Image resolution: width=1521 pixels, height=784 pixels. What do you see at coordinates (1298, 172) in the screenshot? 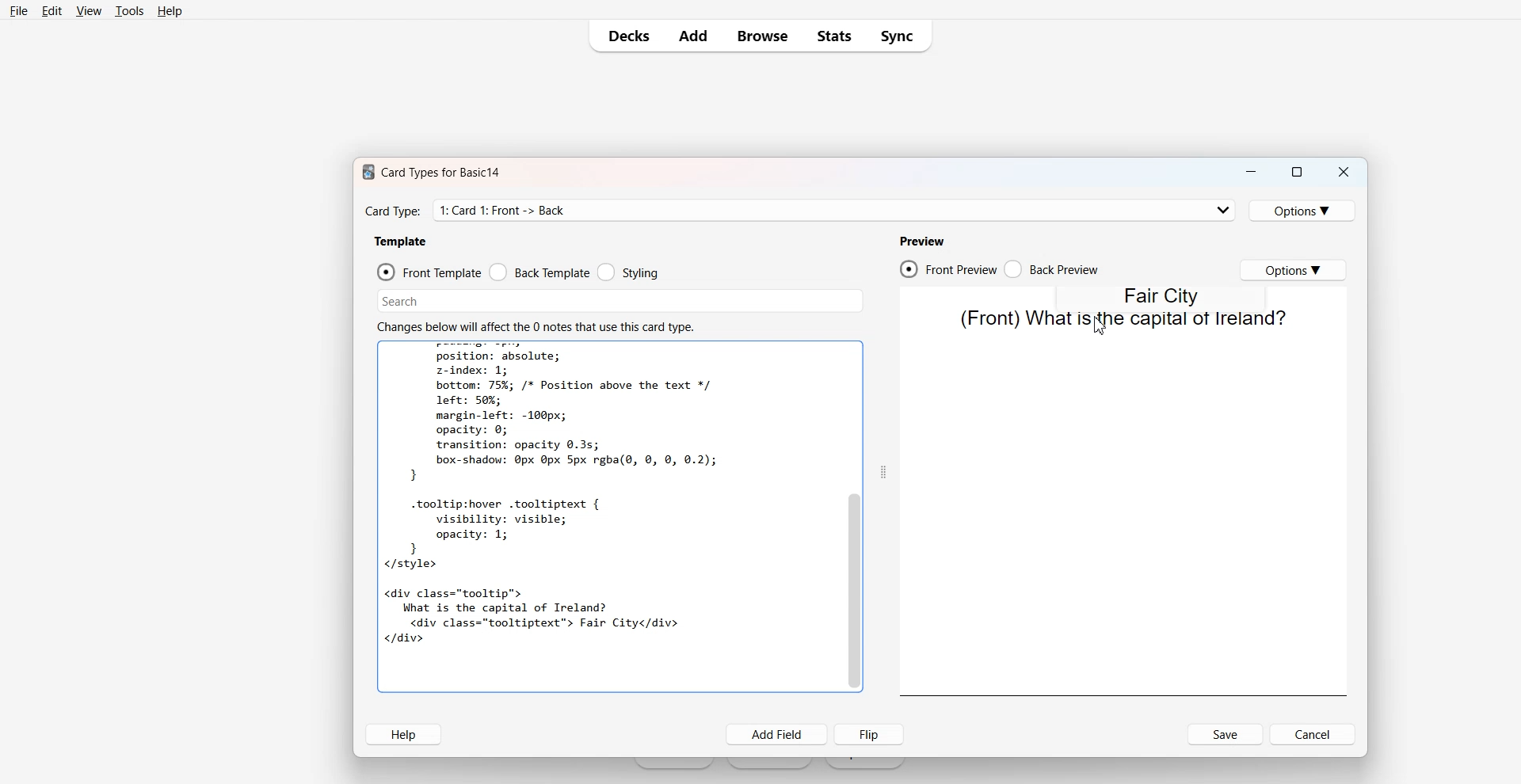
I see `Maximize` at bounding box center [1298, 172].